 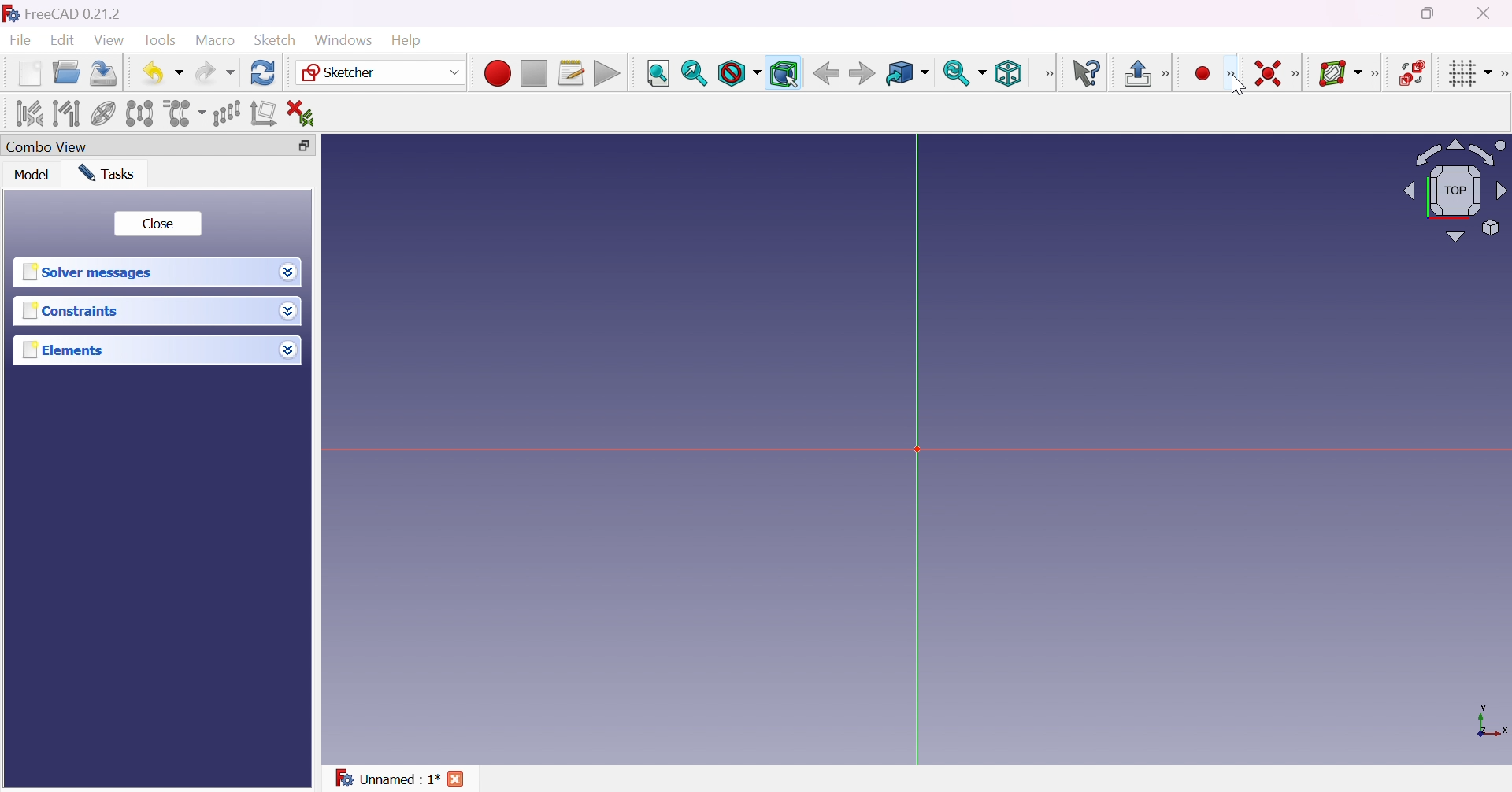 I want to click on Tools, so click(x=162, y=41).